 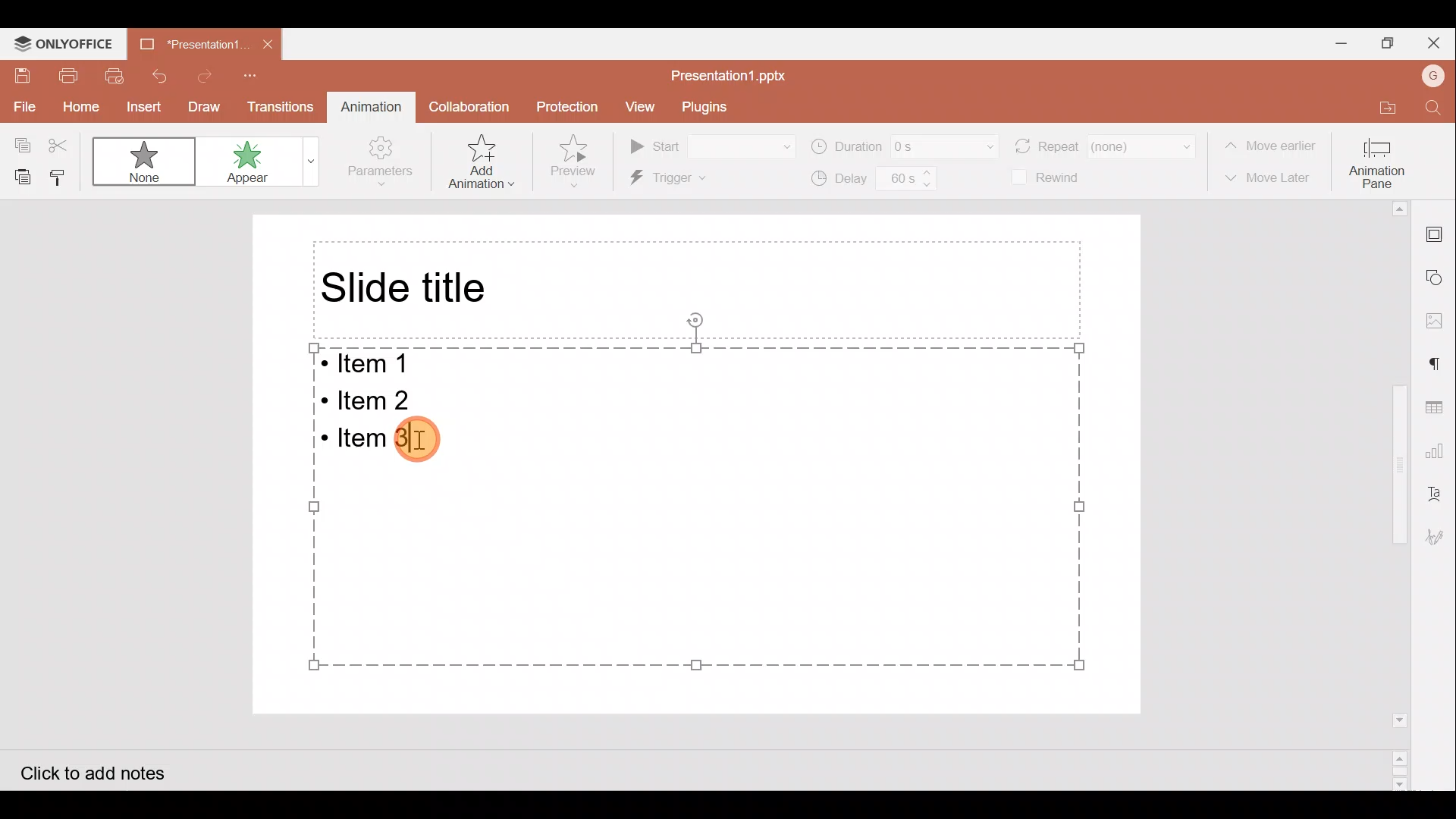 I want to click on Shapes settings, so click(x=1439, y=275).